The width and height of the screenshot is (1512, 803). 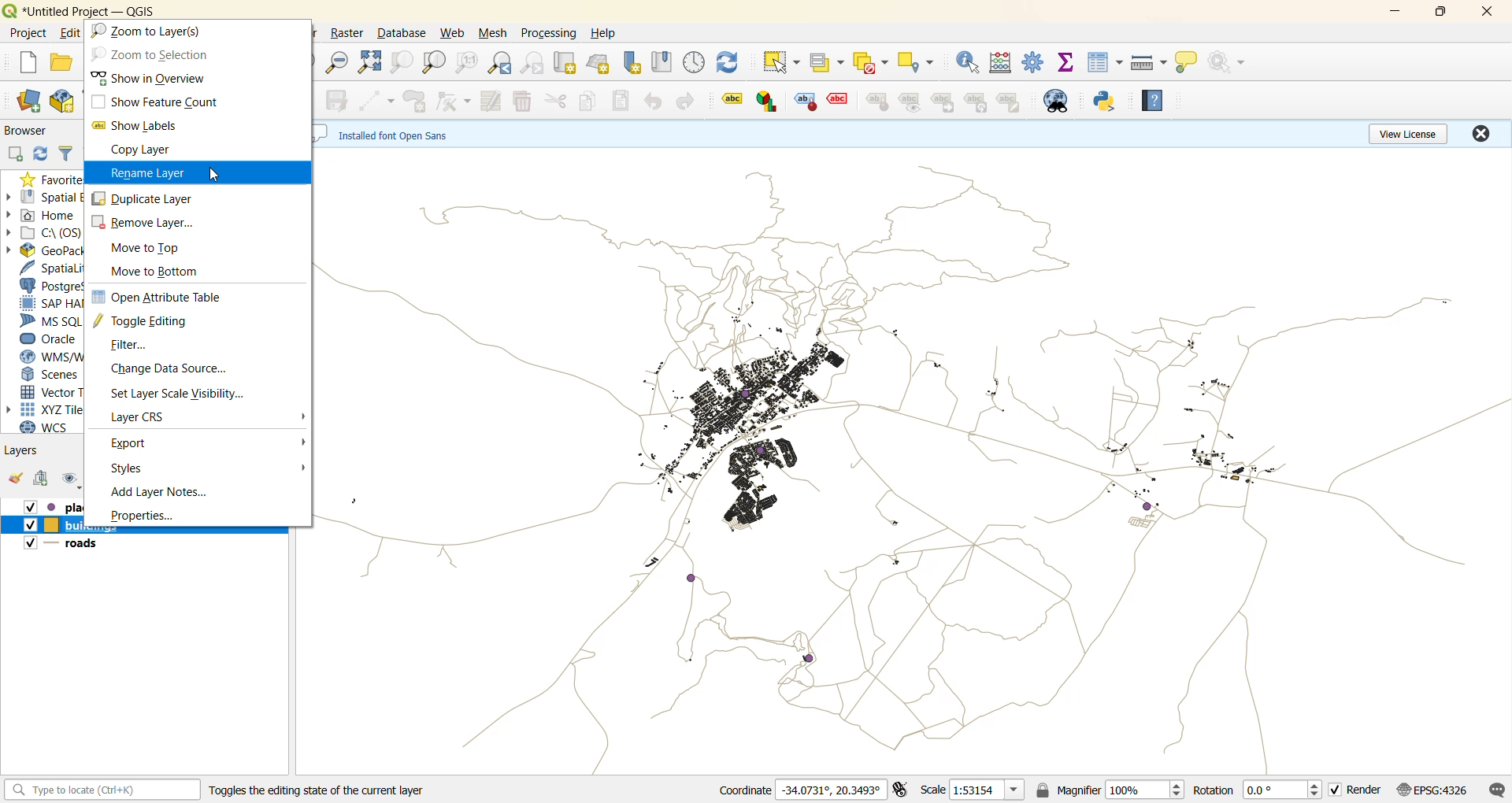 What do you see at coordinates (525, 101) in the screenshot?
I see `delete` at bounding box center [525, 101].